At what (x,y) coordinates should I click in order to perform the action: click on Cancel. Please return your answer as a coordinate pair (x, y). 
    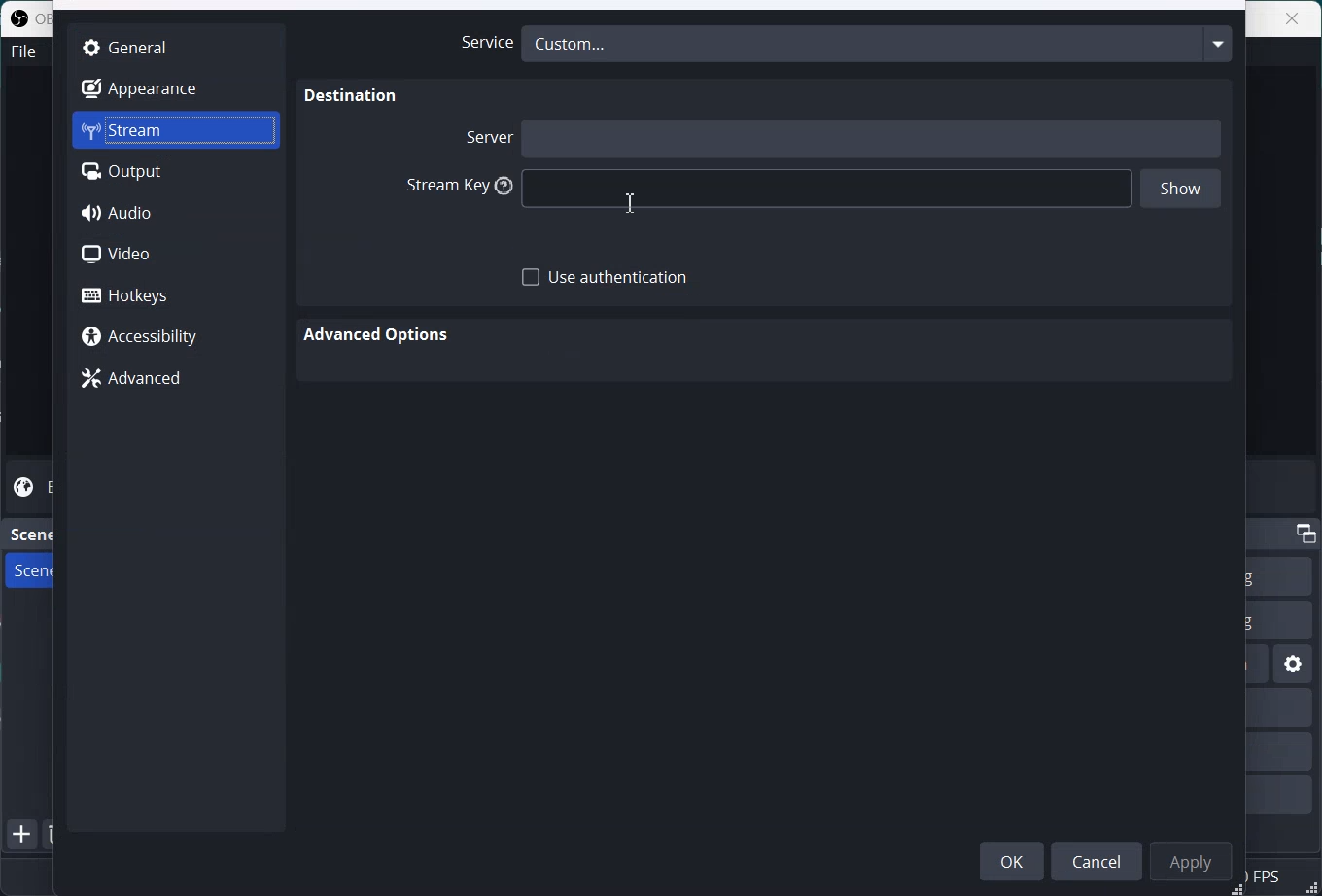
    Looking at the image, I should click on (1100, 860).